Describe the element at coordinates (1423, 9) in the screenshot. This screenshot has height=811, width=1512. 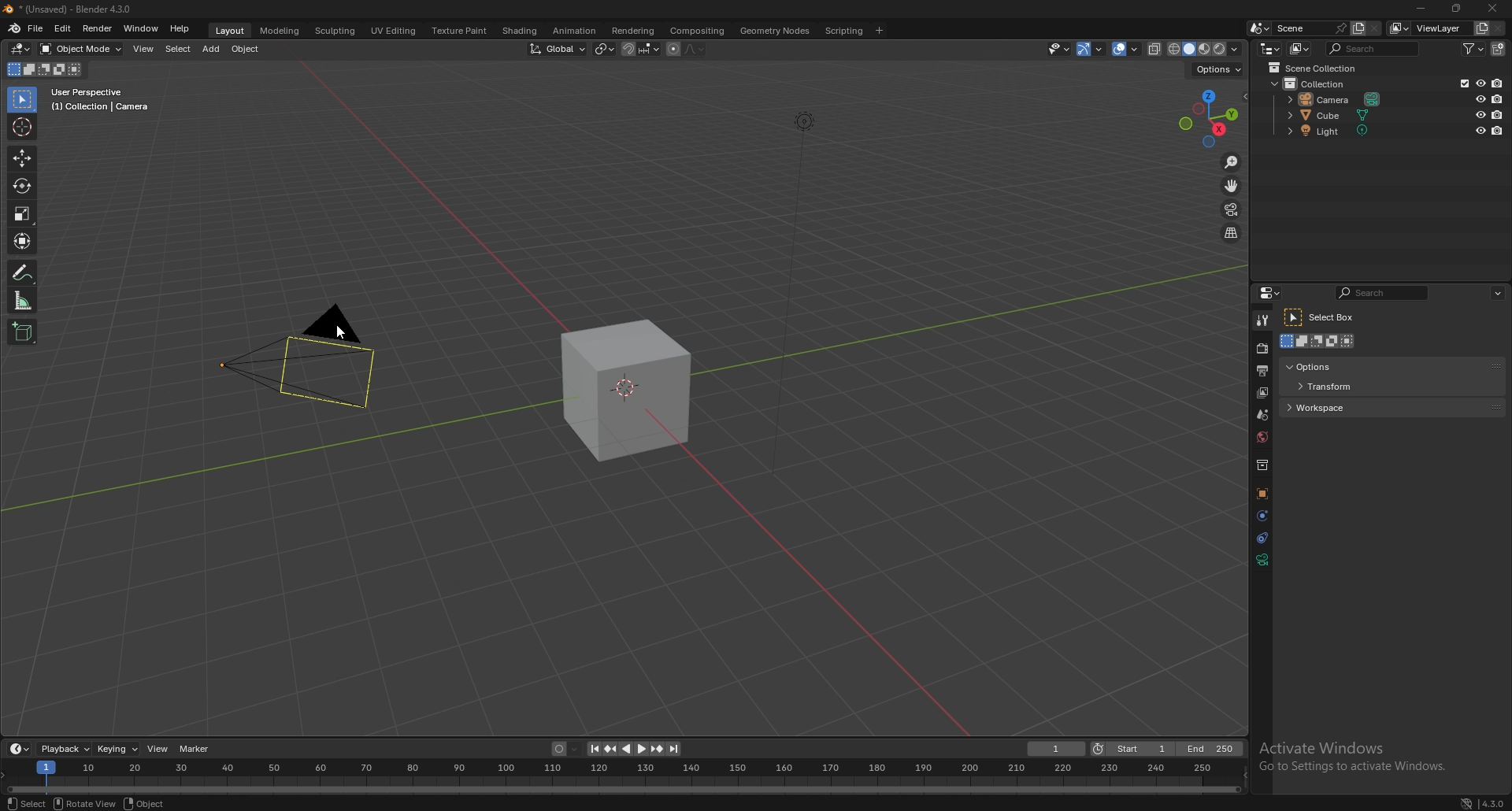
I see `minimize` at that location.